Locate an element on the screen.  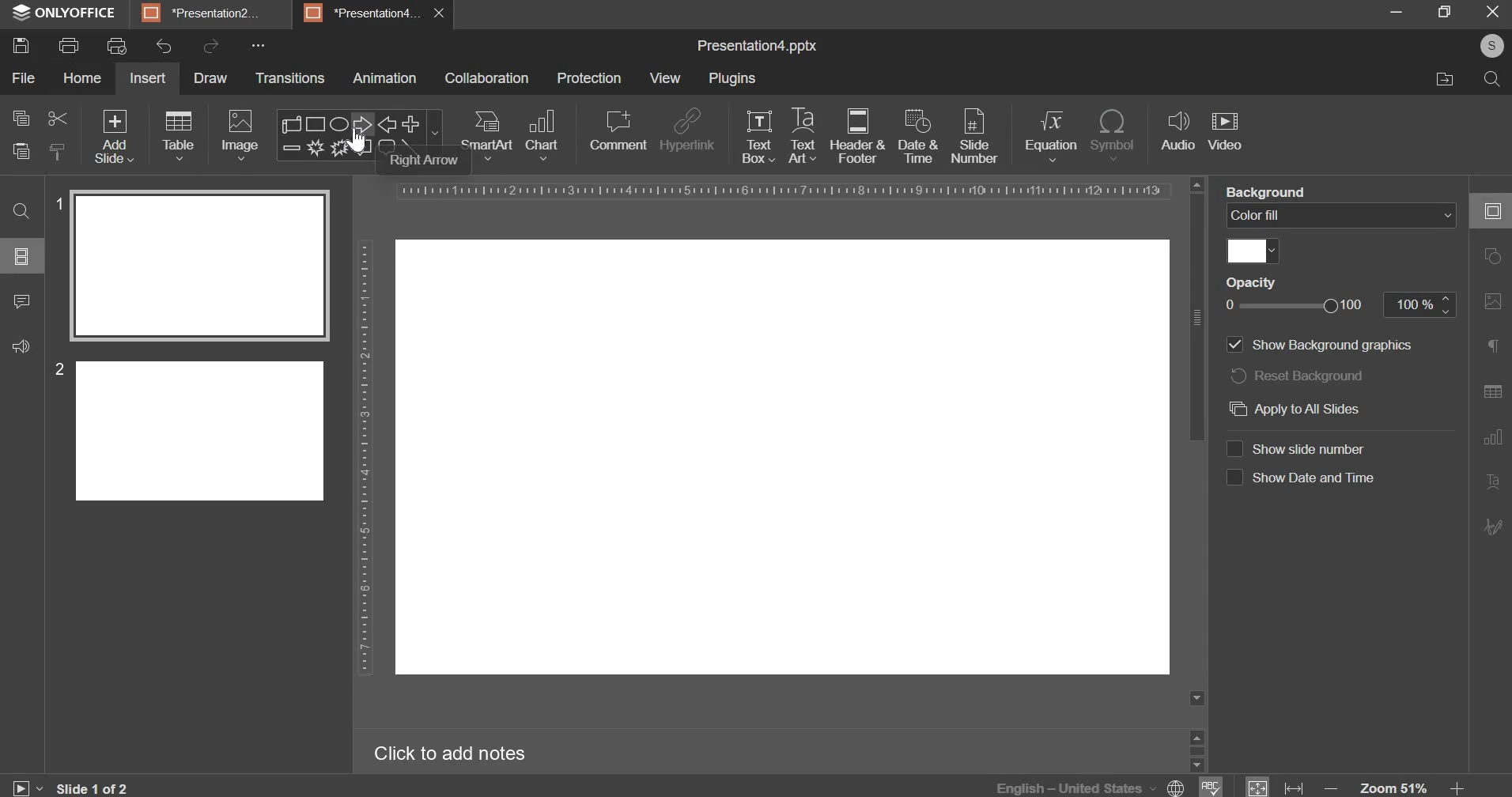
transitions is located at coordinates (291, 79).